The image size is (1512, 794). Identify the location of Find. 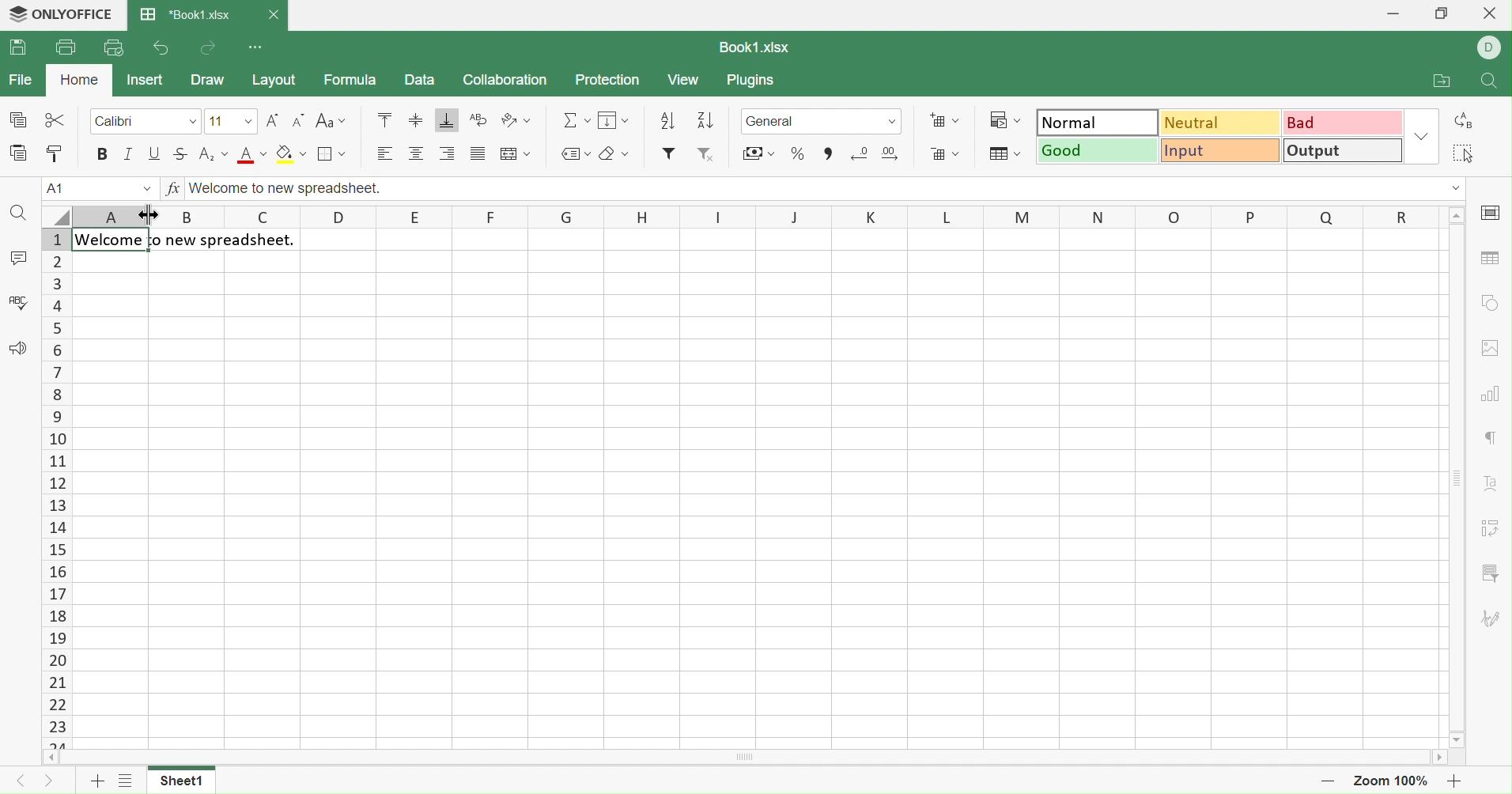
(17, 213).